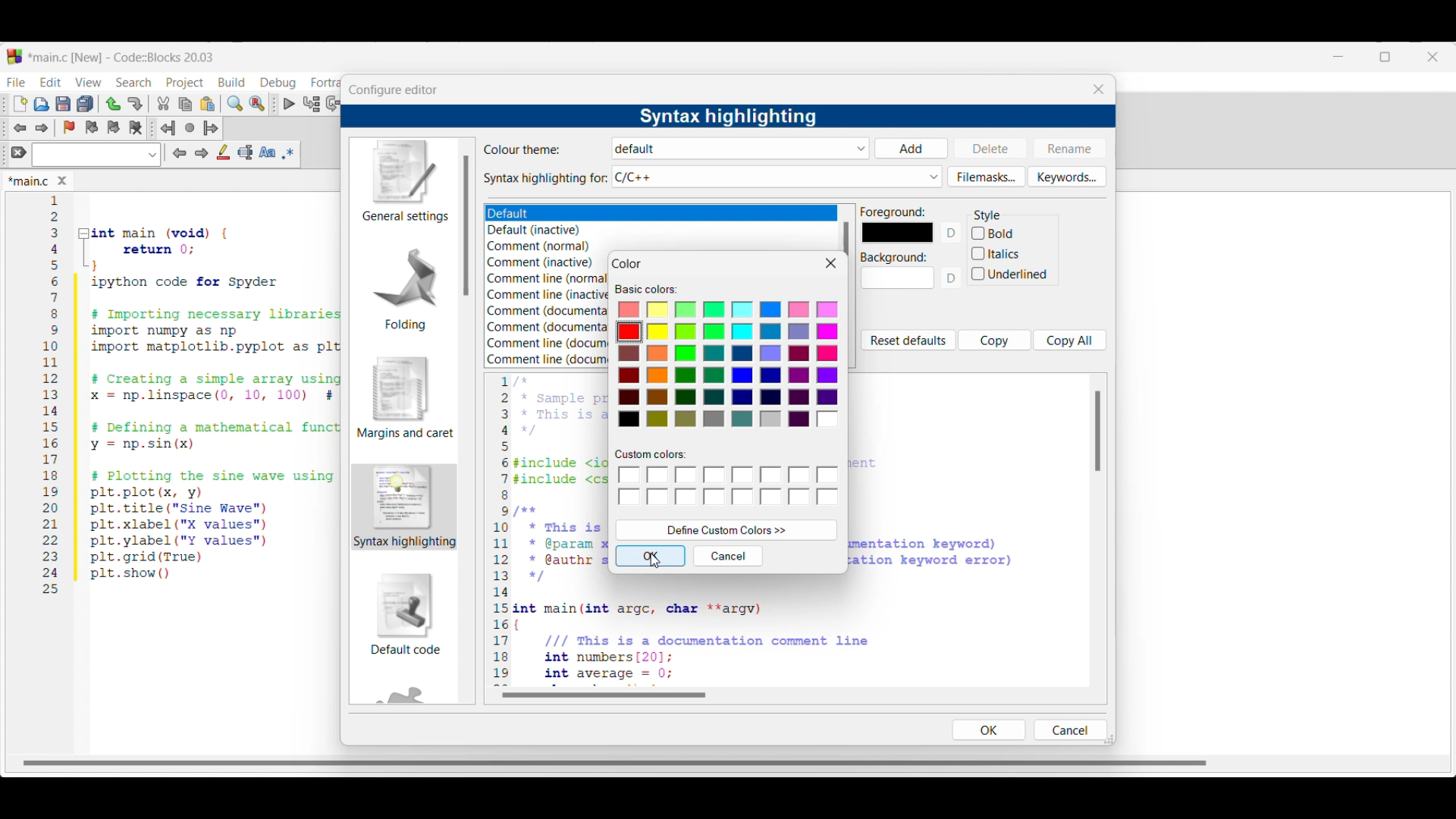 The width and height of the screenshot is (1456, 819). What do you see at coordinates (953, 233) in the screenshot?
I see `D` at bounding box center [953, 233].